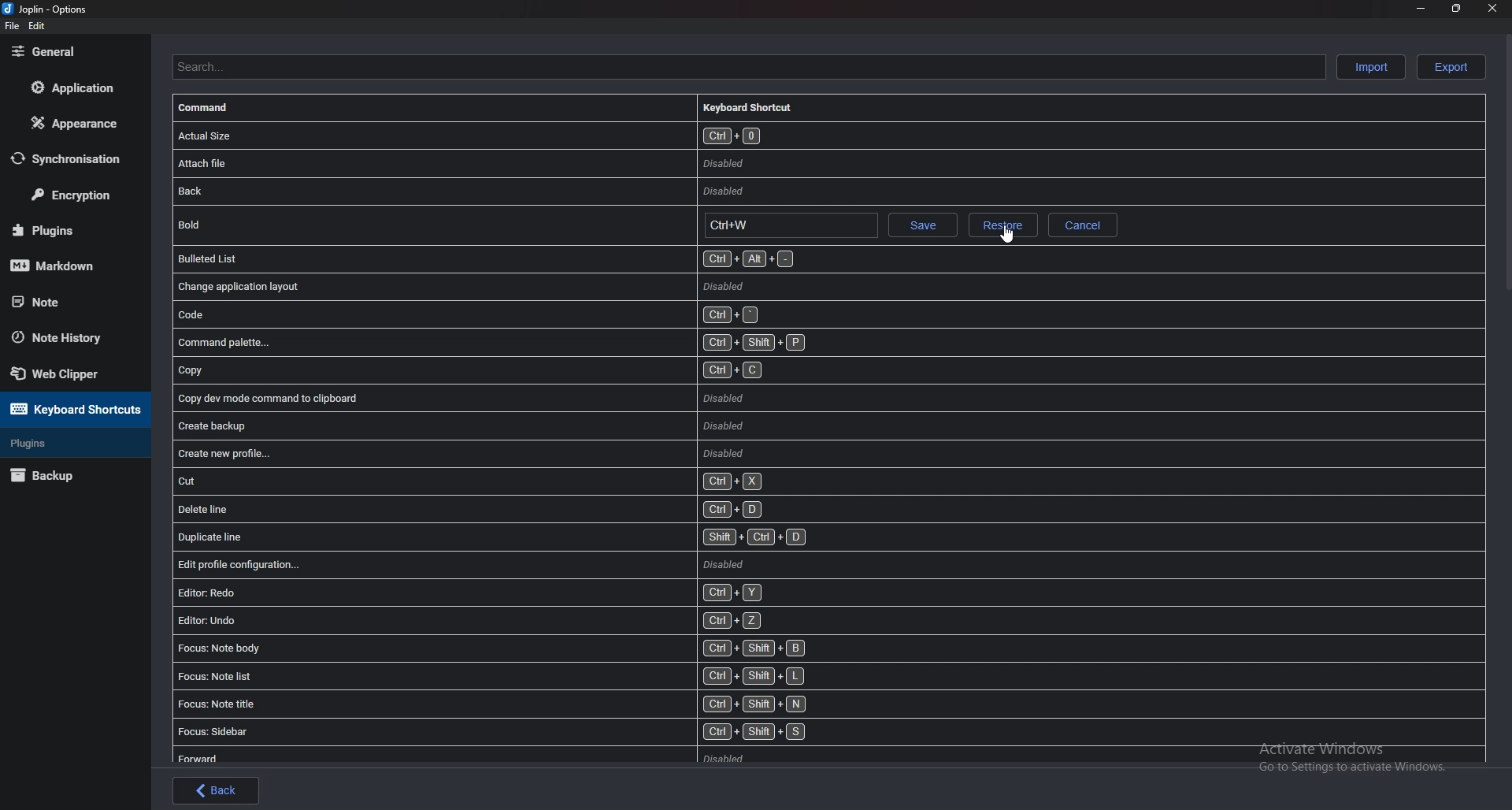 The image size is (1512, 810). Describe the element at coordinates (491, 703) in the screenshot. I see `Focus note title` at that location.